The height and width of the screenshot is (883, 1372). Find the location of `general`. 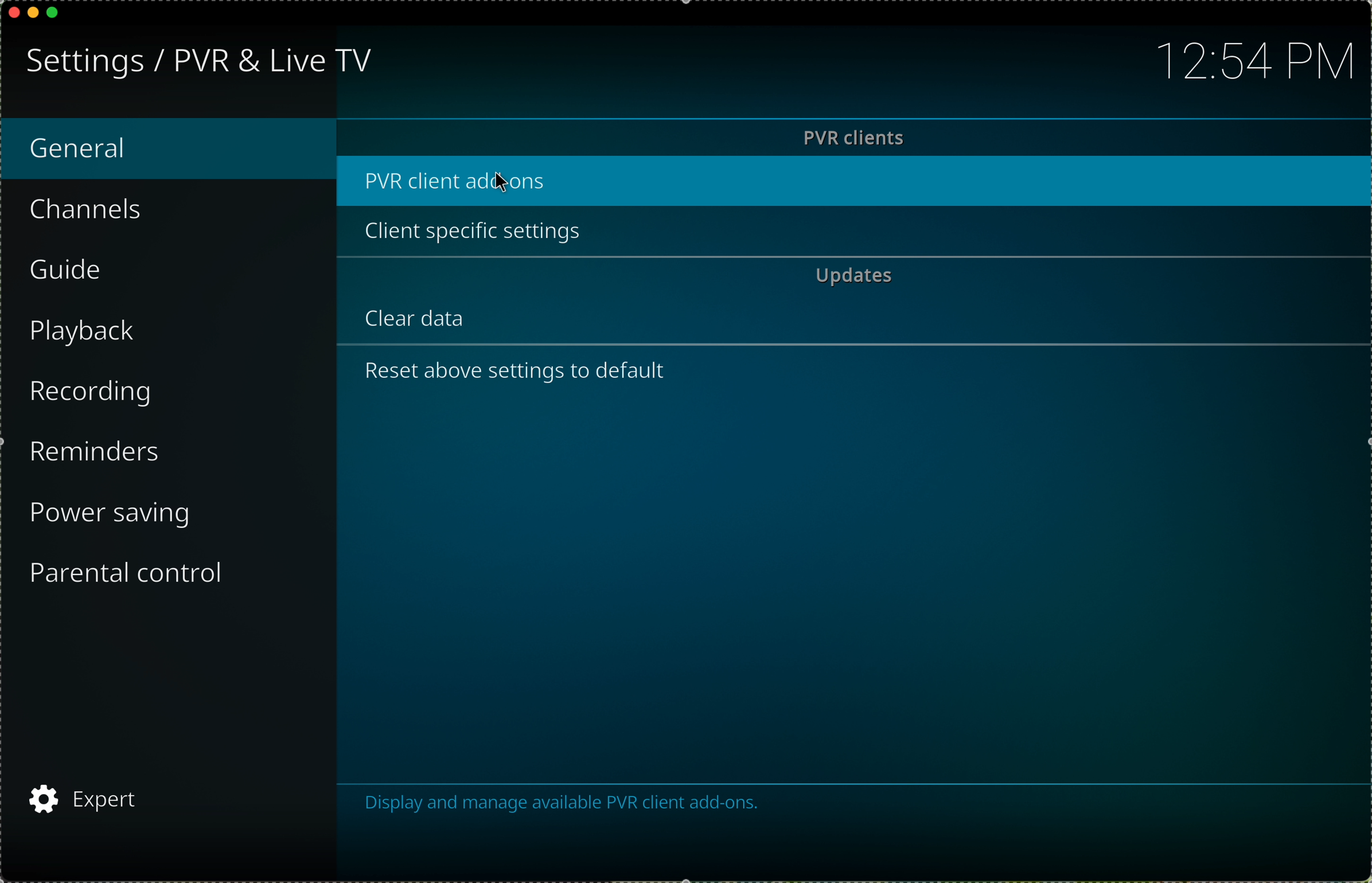

general is located at coordinates (83, 147).